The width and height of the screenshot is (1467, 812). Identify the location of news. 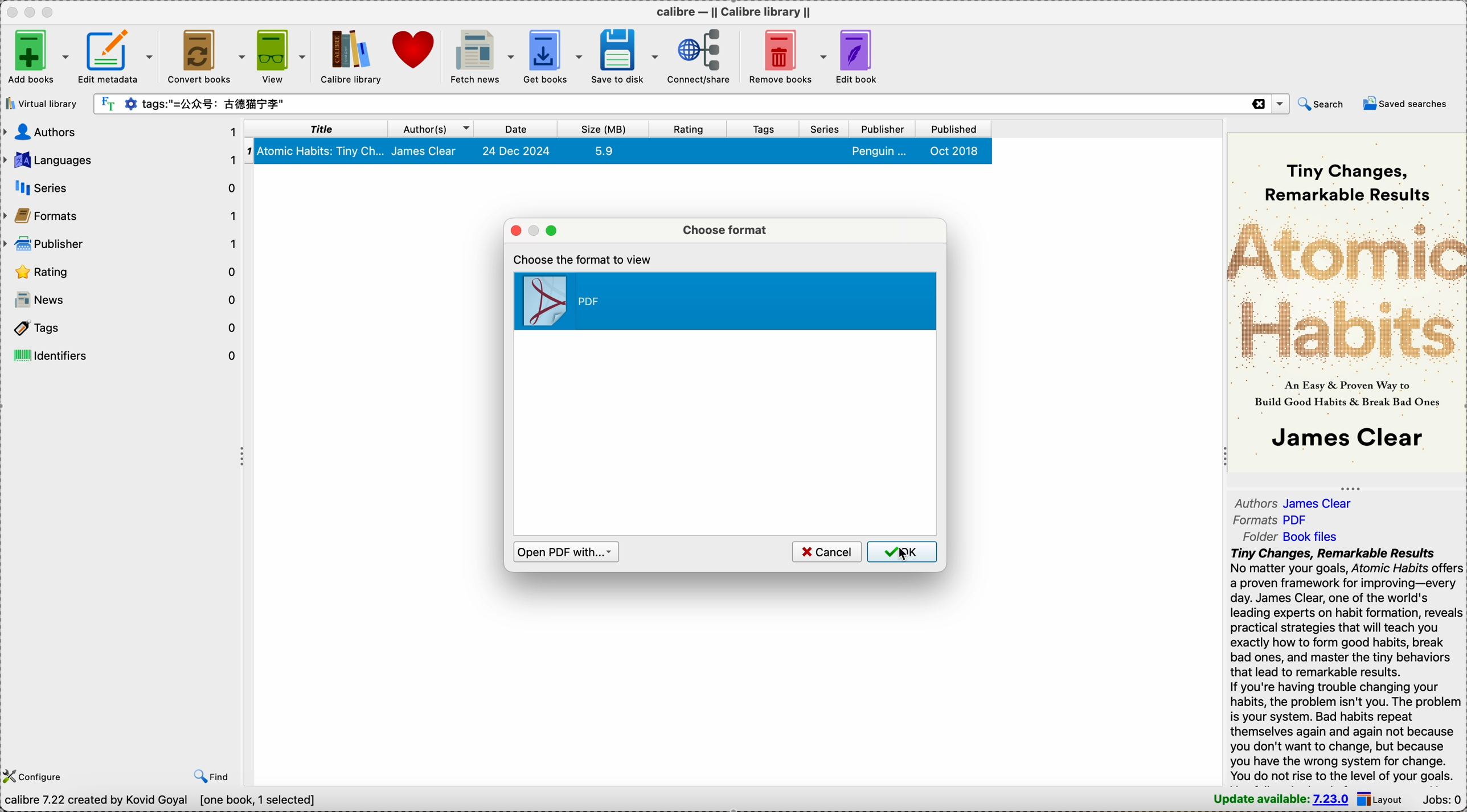
(122, 300).